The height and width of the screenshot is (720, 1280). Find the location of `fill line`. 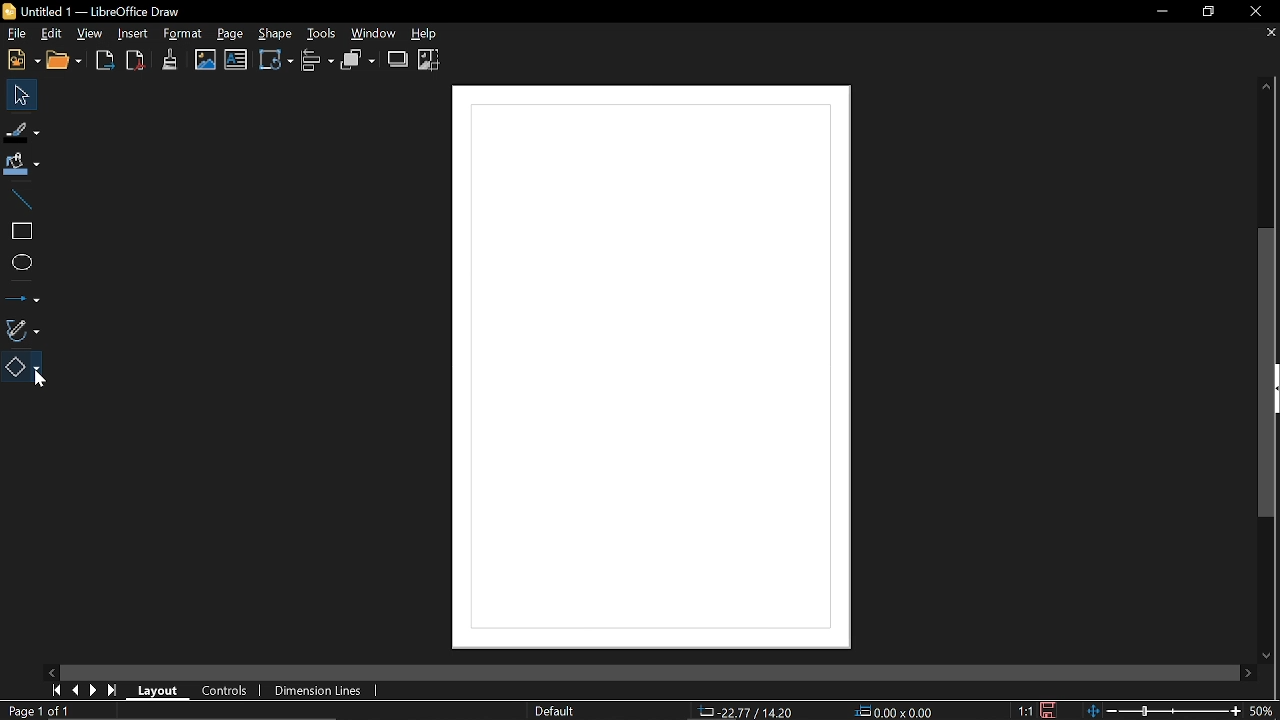

fill line is located at coordinates (23, 131).